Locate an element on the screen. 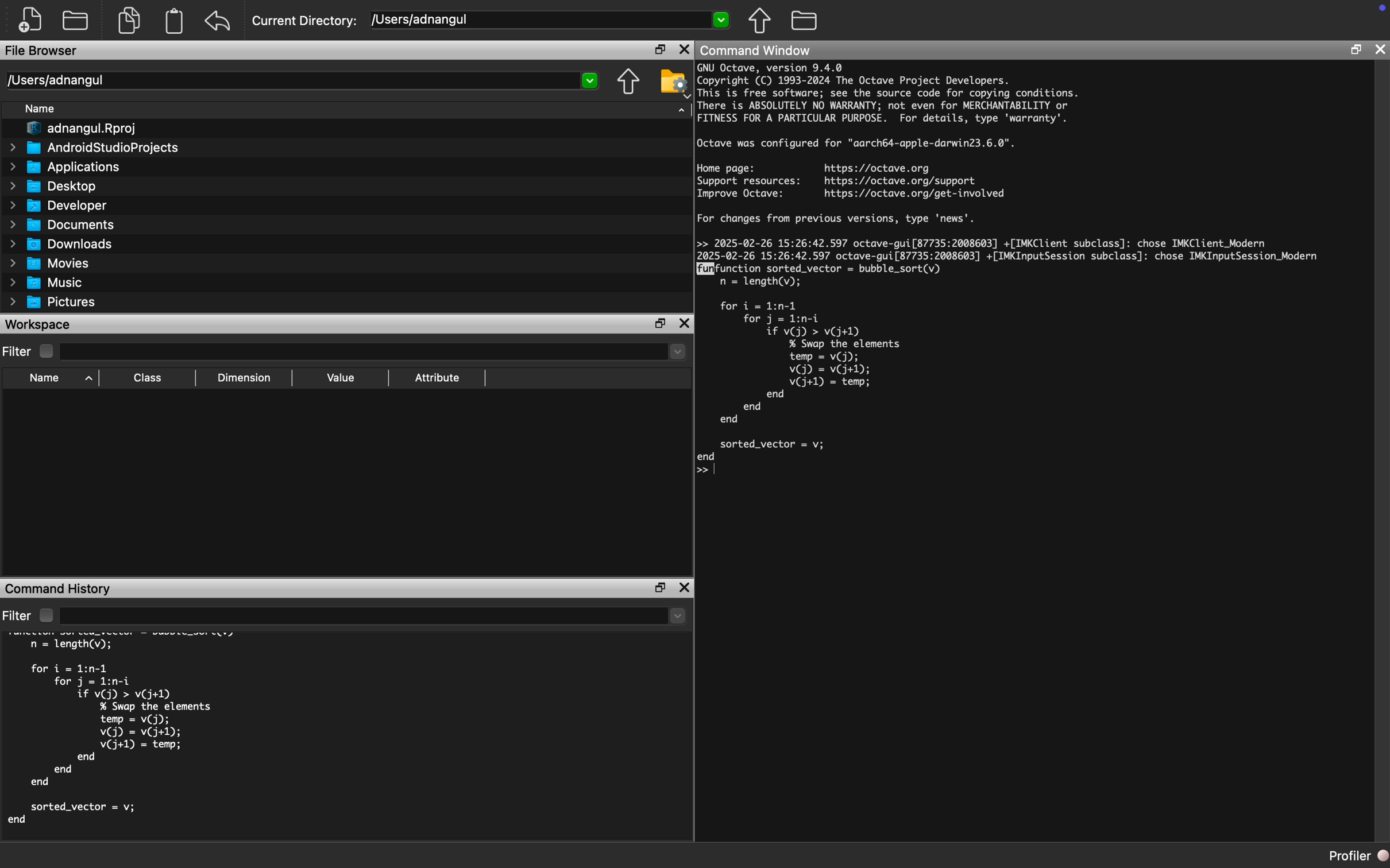 This screenshot has width=1390, height=868. >> 2025-02-26 15:26:42.597 octave-gui[87735:2008603] +[IMKClient subclass]: chose IMKClient_Modern
2025-02-26 15:26:42.597 octave-gui[87735:2008603] +[IMKInputSession subclass]: chose IMKInputSession_Modern
[function sorted_vector = bubble_sort(v)
n = length(v);
for i = 1:n-1
for j = 1:n-i
if v(3) > v(G+1)
% Swap the elements
temp = v(3);
v(3) = v(G+D);
v(j+1) = temp;
end
end
end
sorted_vector = v;
a is located at coordinates (1014, 356).